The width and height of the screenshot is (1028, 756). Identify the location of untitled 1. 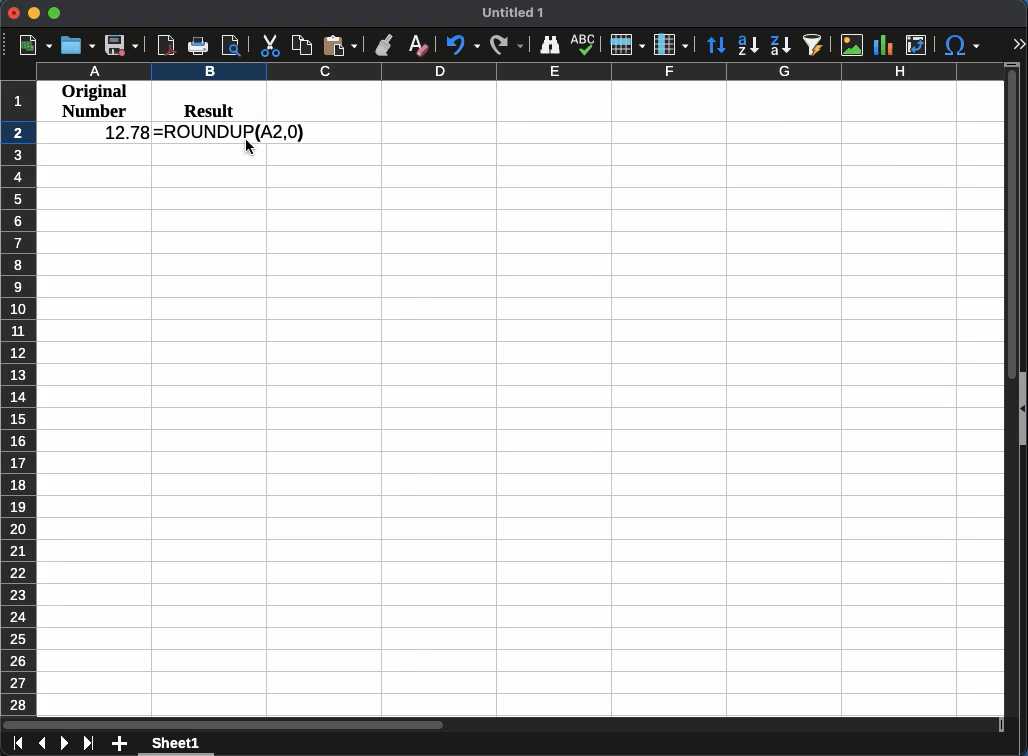
(515, 12).